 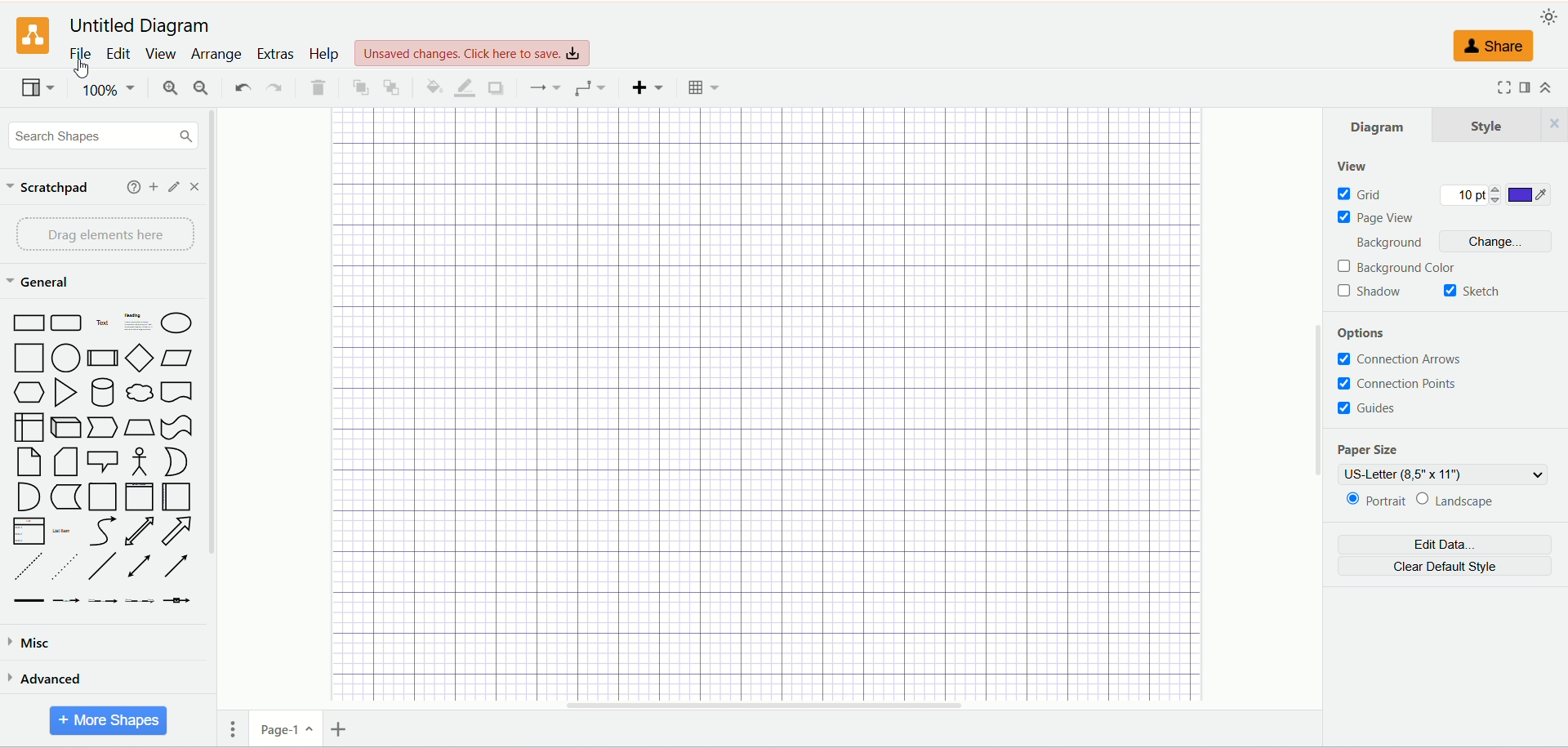 I want to click on US letter, so click(x=1445, y=474).